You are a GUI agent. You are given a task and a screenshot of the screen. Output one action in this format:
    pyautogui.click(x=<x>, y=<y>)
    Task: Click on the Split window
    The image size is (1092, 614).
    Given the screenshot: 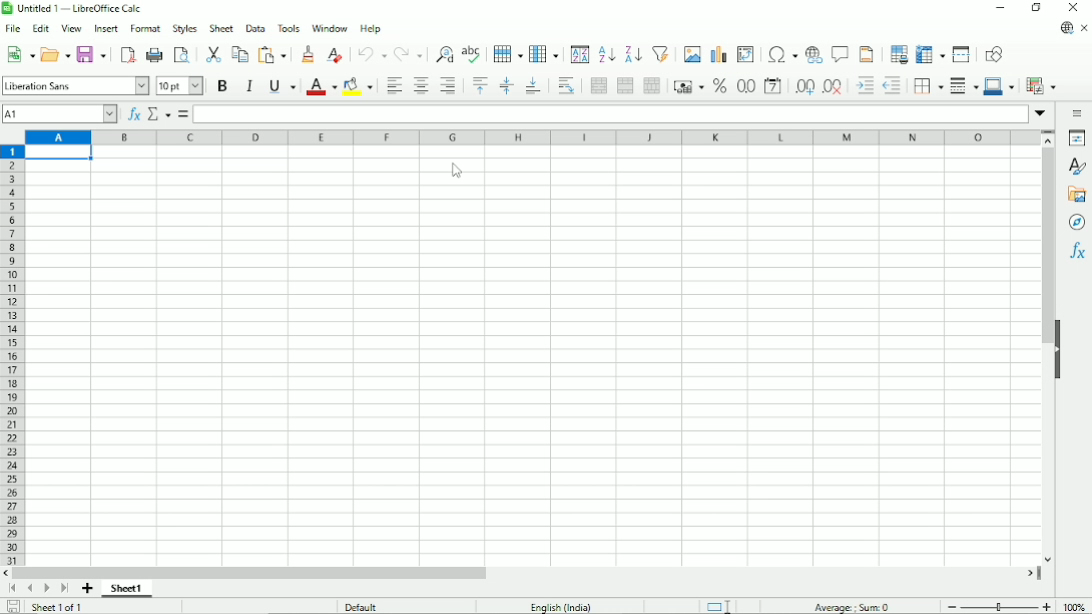 What is the action you would take?
    pyautogui.click(x=963, y=54)
    